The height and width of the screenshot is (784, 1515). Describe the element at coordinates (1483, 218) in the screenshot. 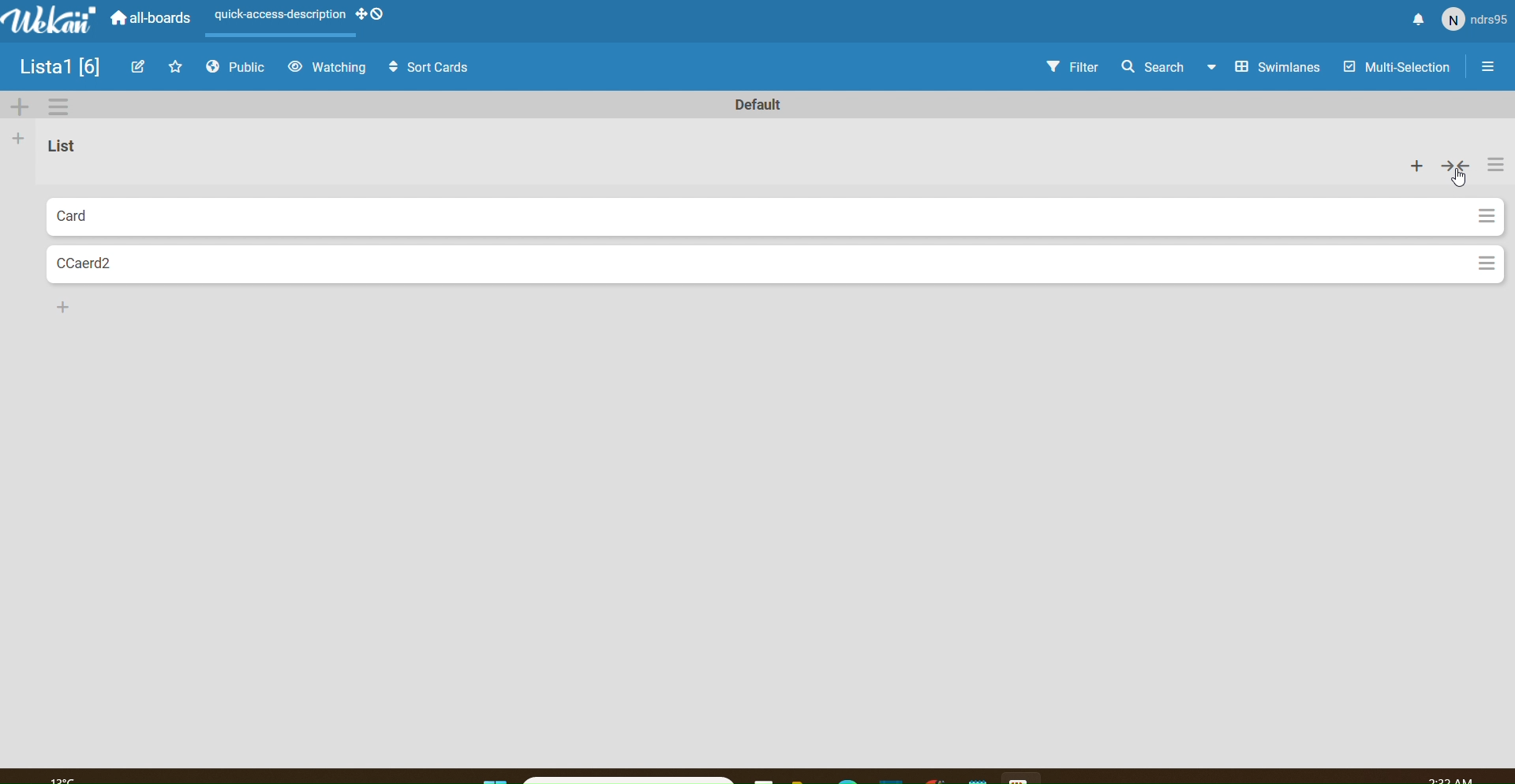

I see `Settings` at that location.